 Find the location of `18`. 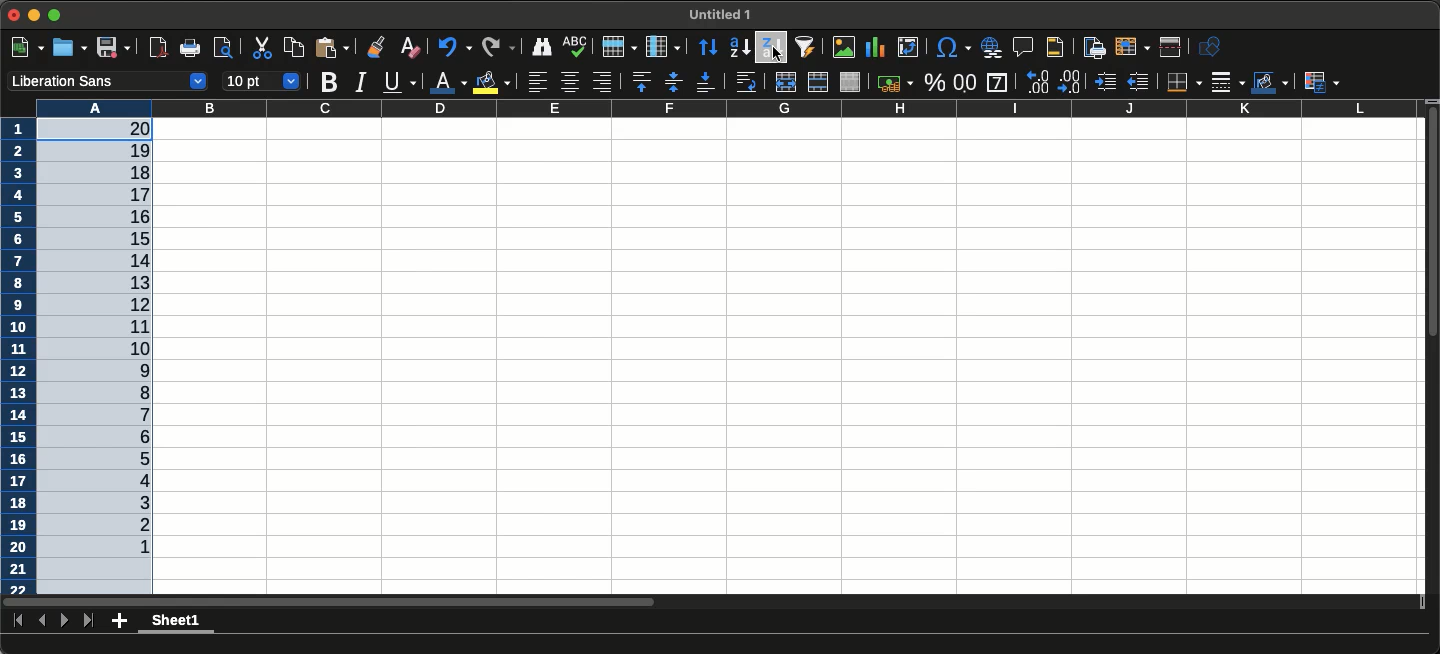

18 is located at coordinates (124, 501).